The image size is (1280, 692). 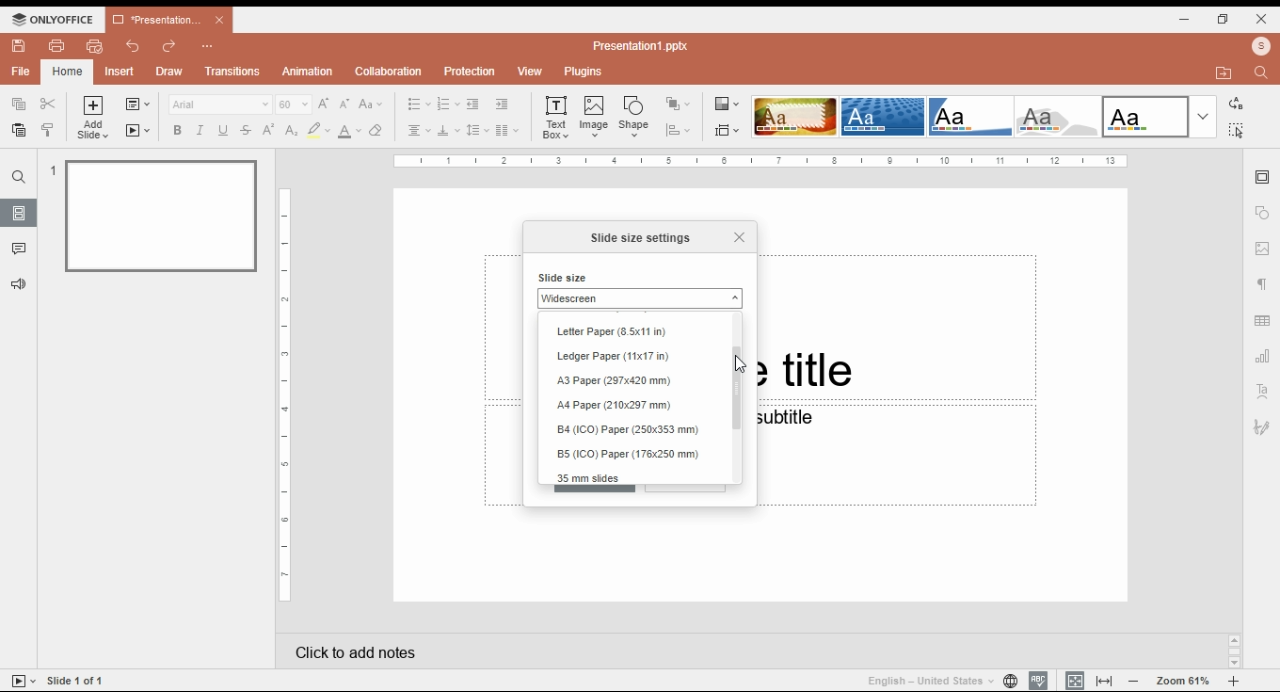 What do you see at coordinates (154, 214) in the screenshot?
I see `slide 1` at bounding box center [154, 214].